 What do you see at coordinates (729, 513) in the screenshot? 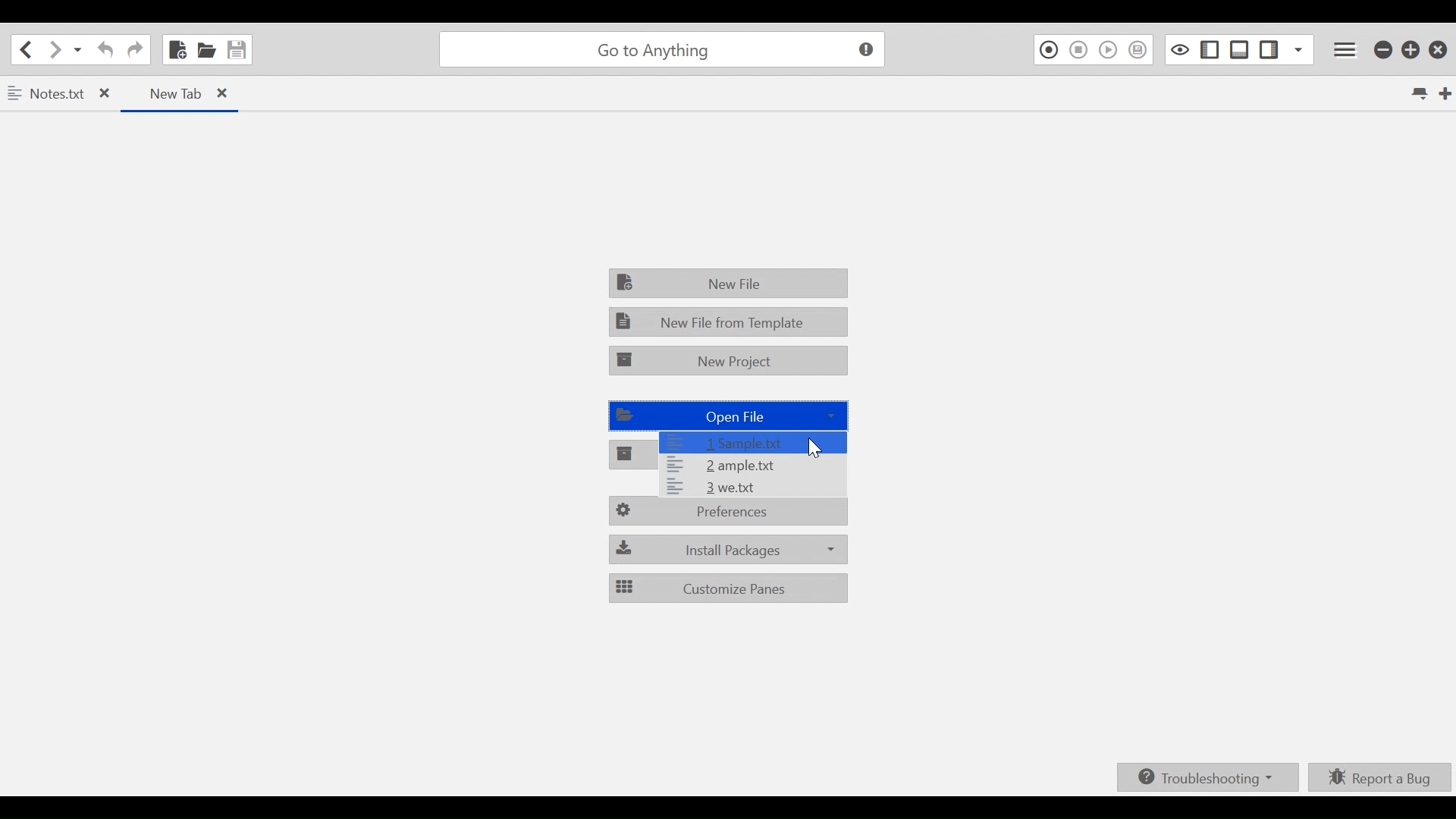
I see `Preferences` at bounding box center [729, 513].